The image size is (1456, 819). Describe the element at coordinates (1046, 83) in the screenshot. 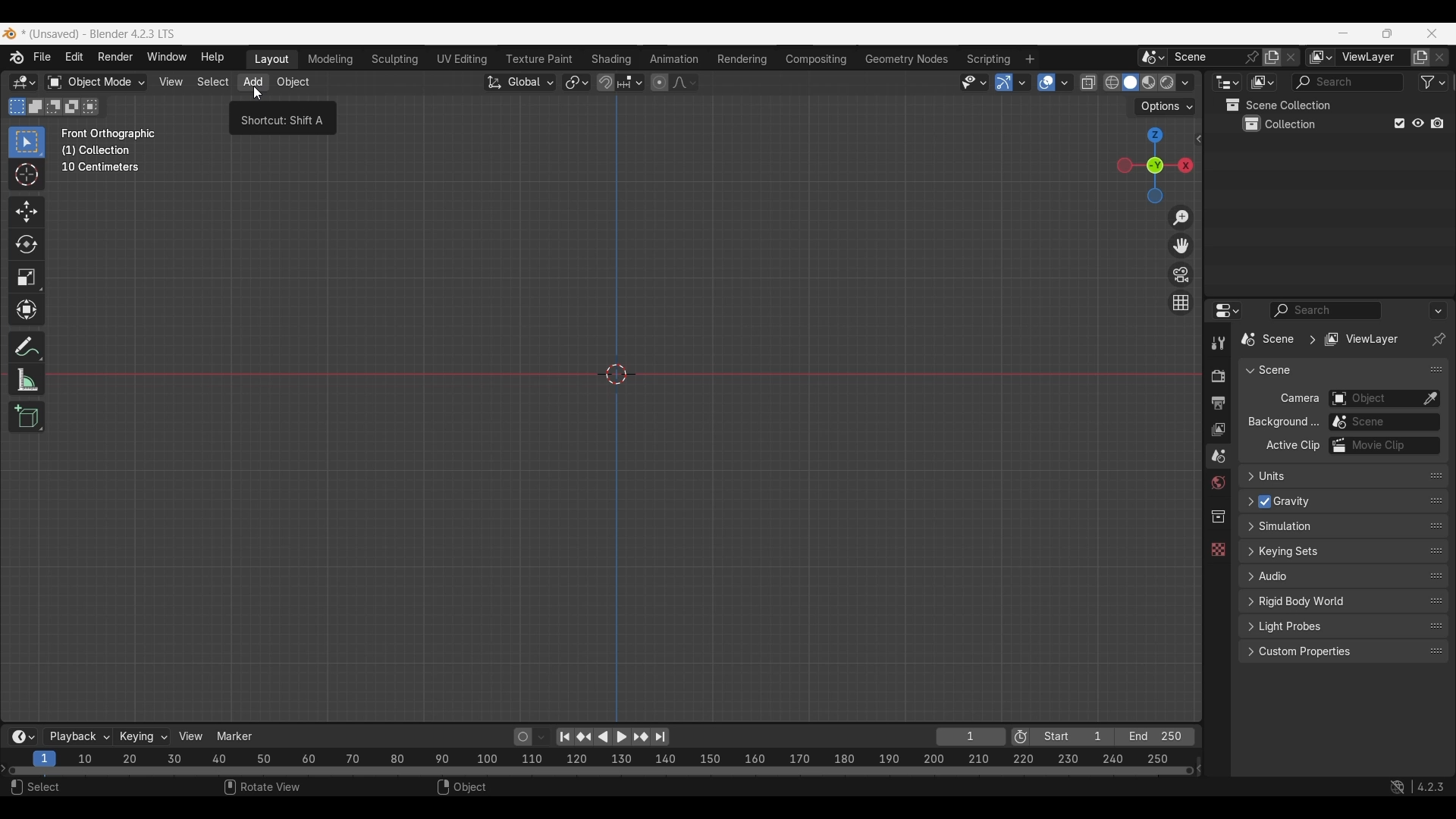

I see `Show overlay` at that location.